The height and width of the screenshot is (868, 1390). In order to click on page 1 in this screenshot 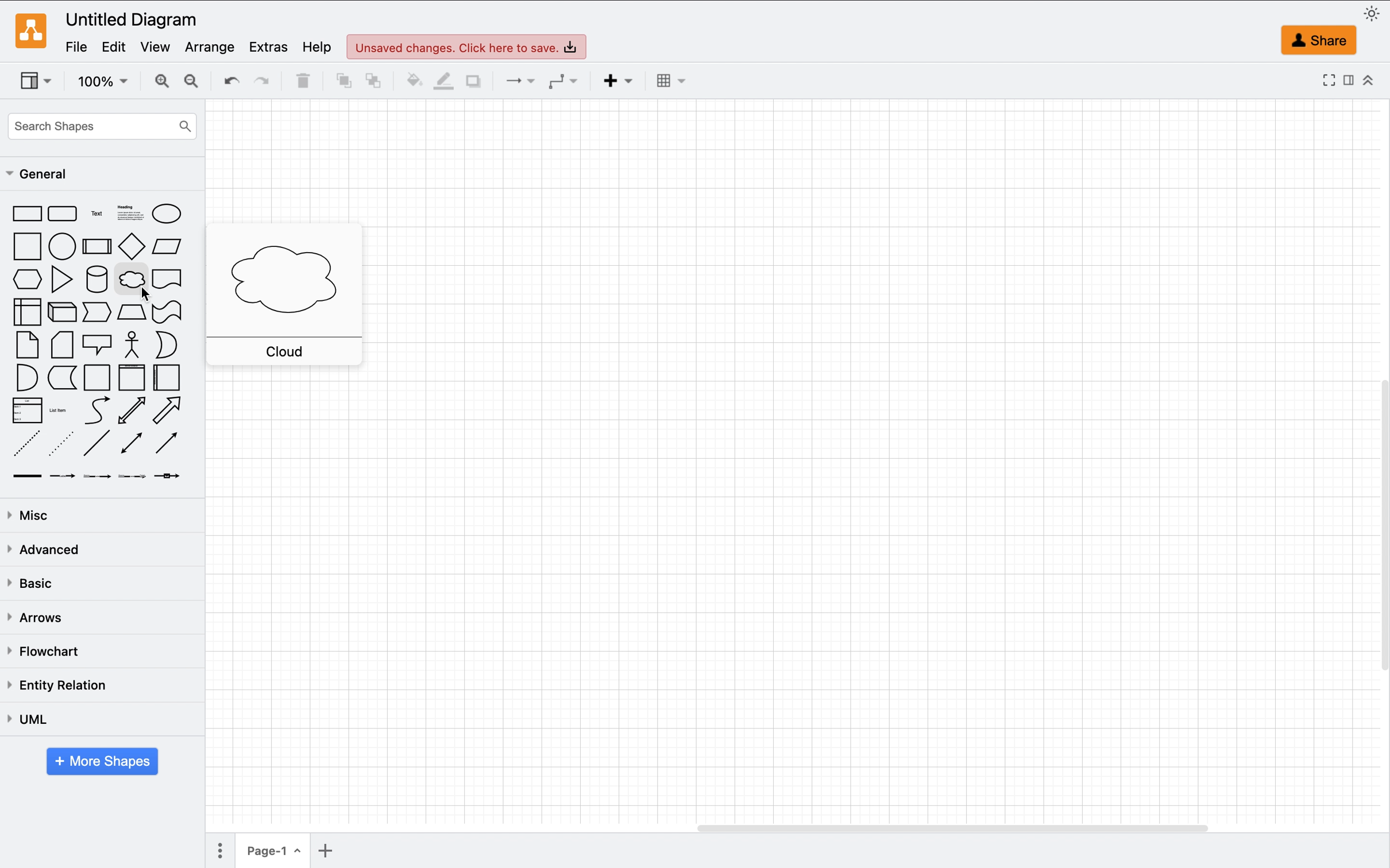, I will do `click(276, 854)`.